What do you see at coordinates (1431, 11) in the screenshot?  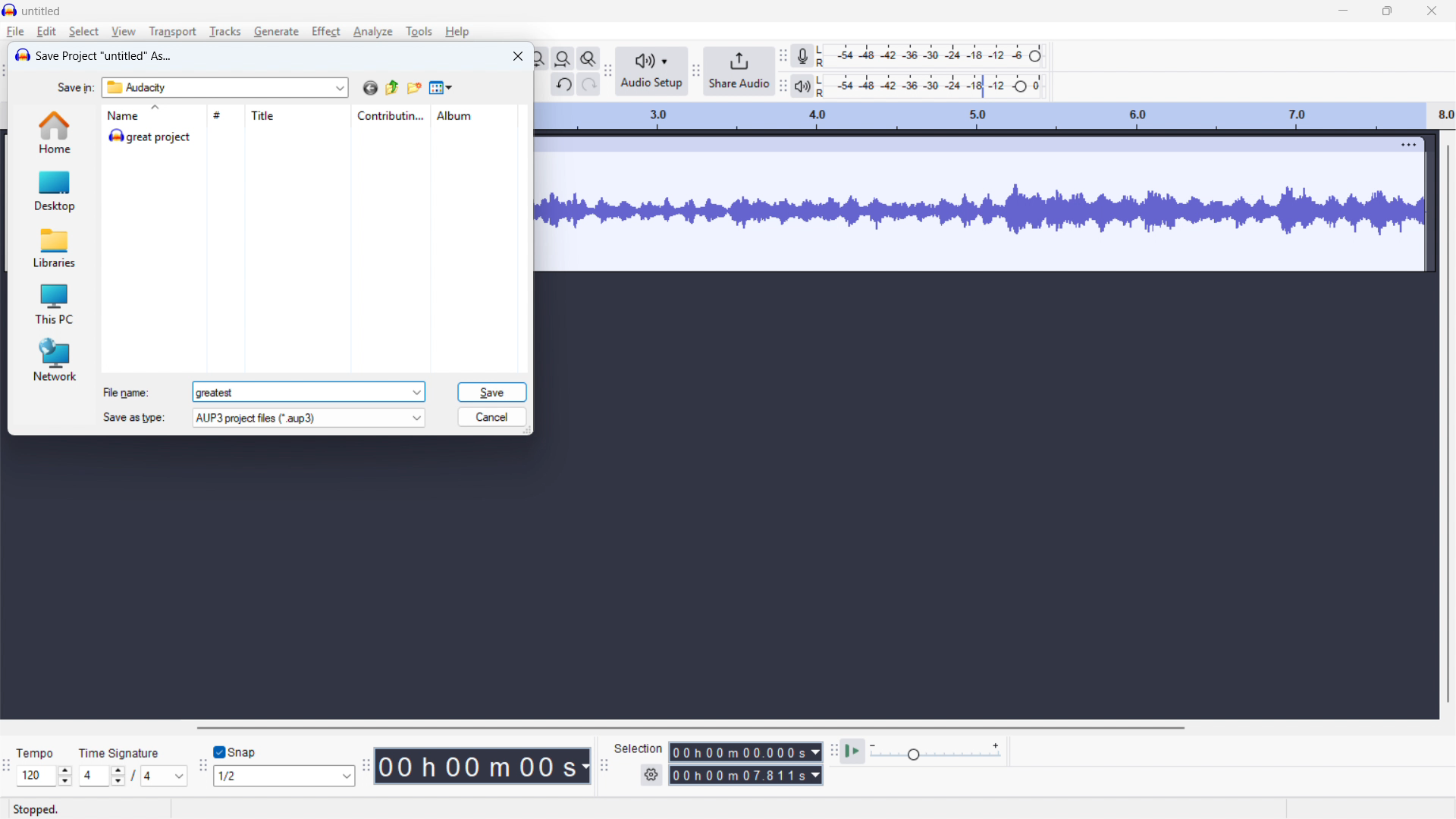 I see `close` at bounding box center [1431, 11].